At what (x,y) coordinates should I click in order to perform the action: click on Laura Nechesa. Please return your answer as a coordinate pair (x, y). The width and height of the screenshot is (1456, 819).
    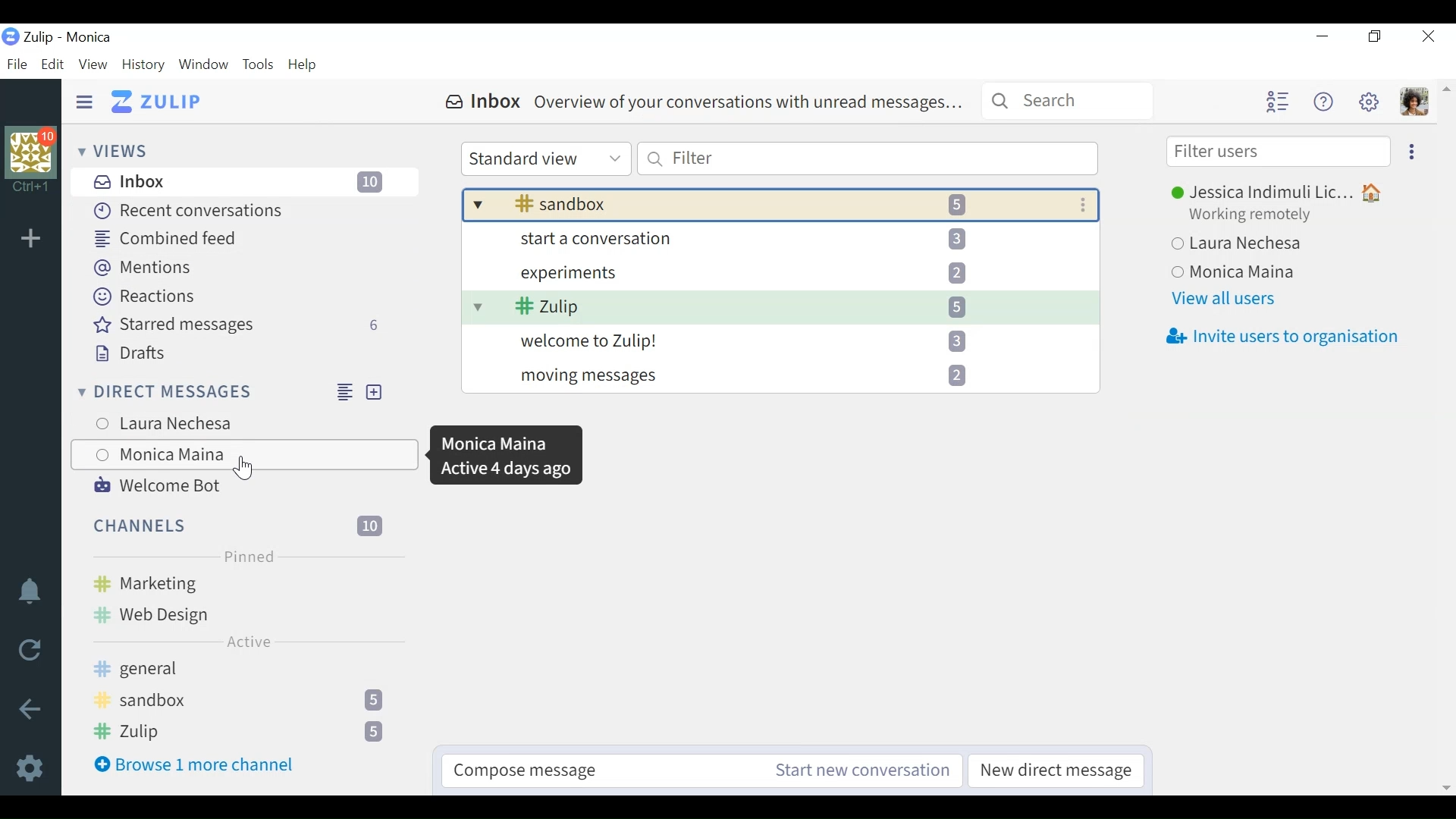
    Looking at the image, I should click on (1255, 244).